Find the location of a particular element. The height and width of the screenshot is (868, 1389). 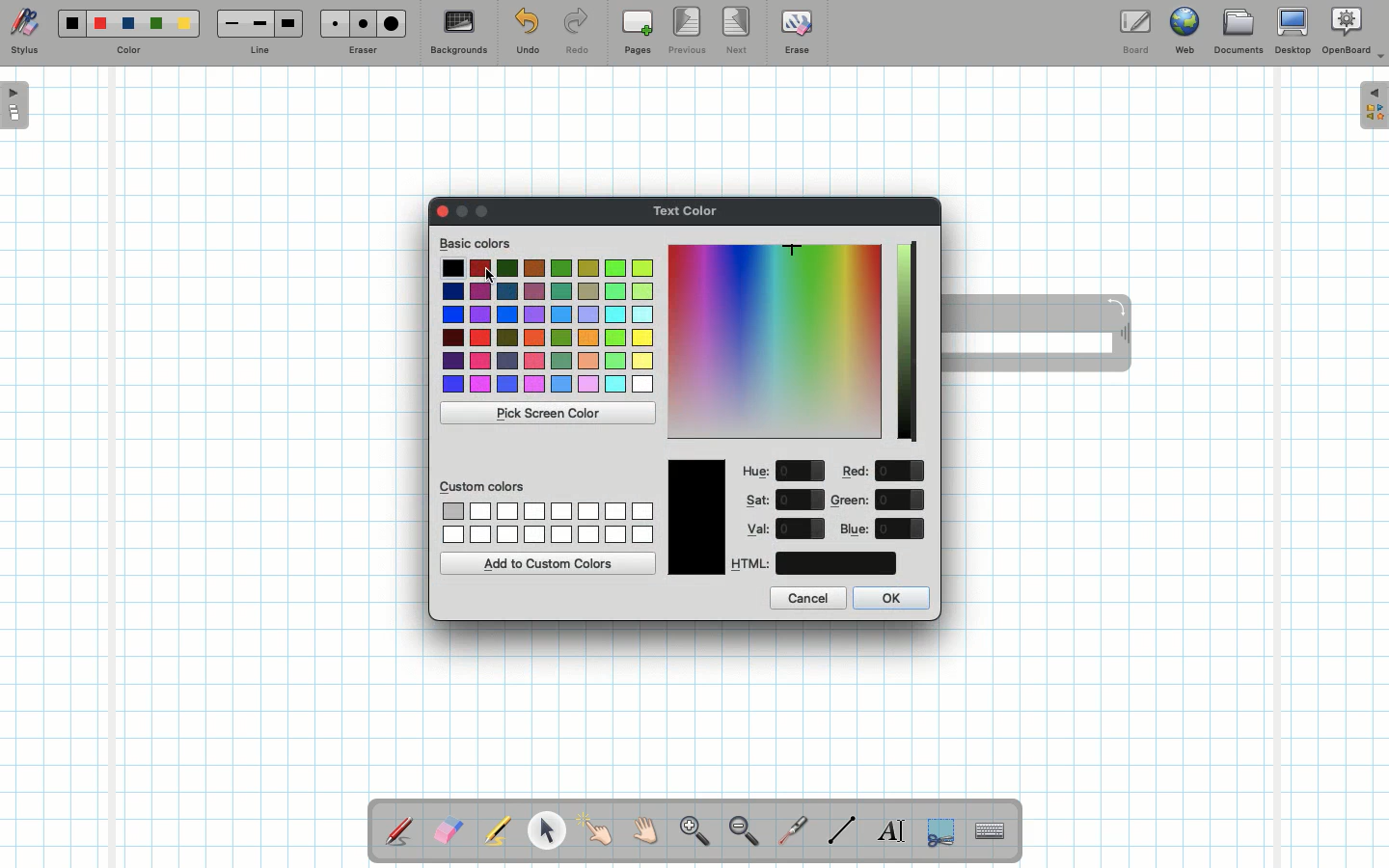

Redo is located at coordinates (577, 35).